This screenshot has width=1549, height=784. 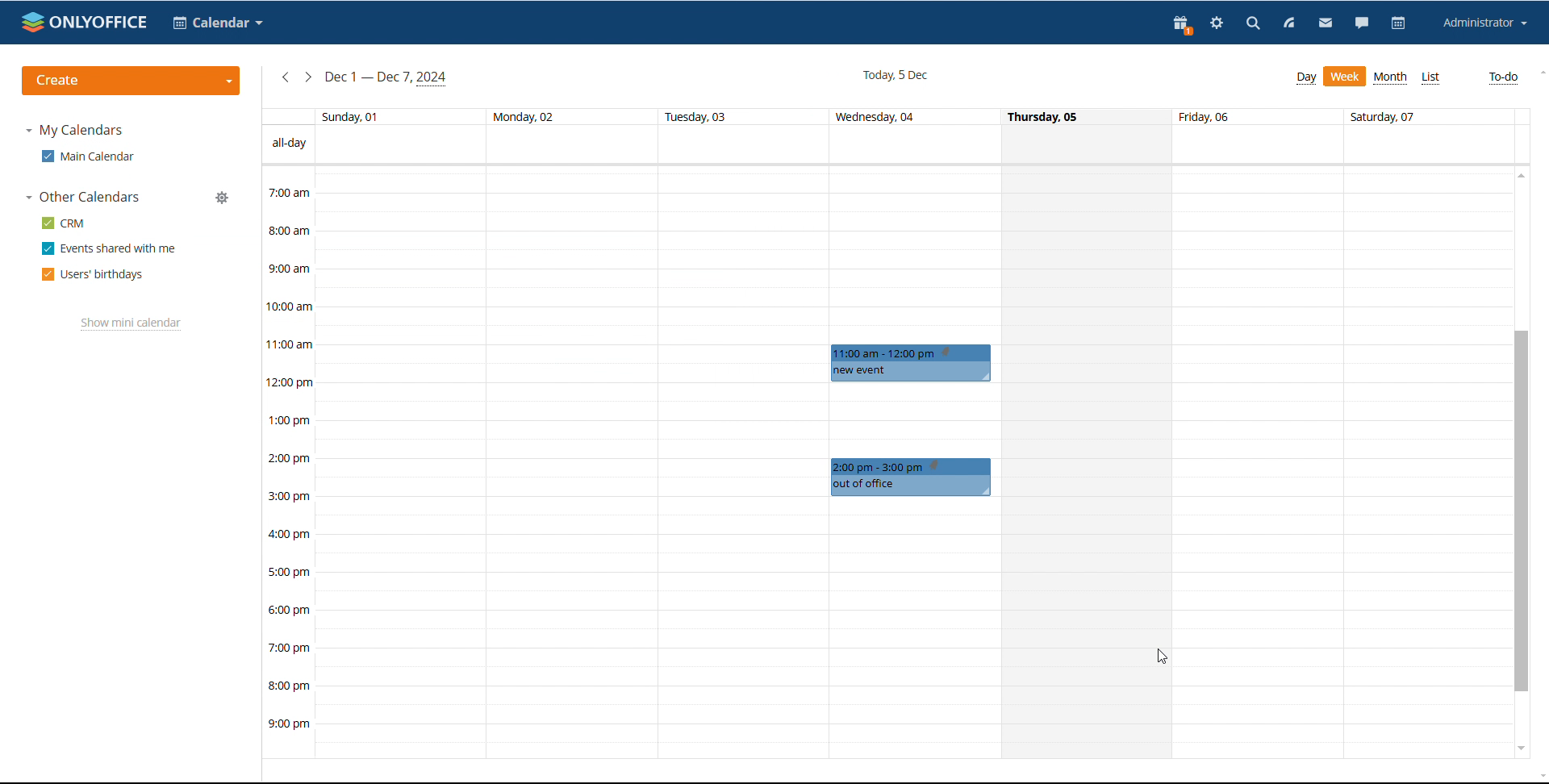 I want to click on month view, so click(x=1392, y=77).